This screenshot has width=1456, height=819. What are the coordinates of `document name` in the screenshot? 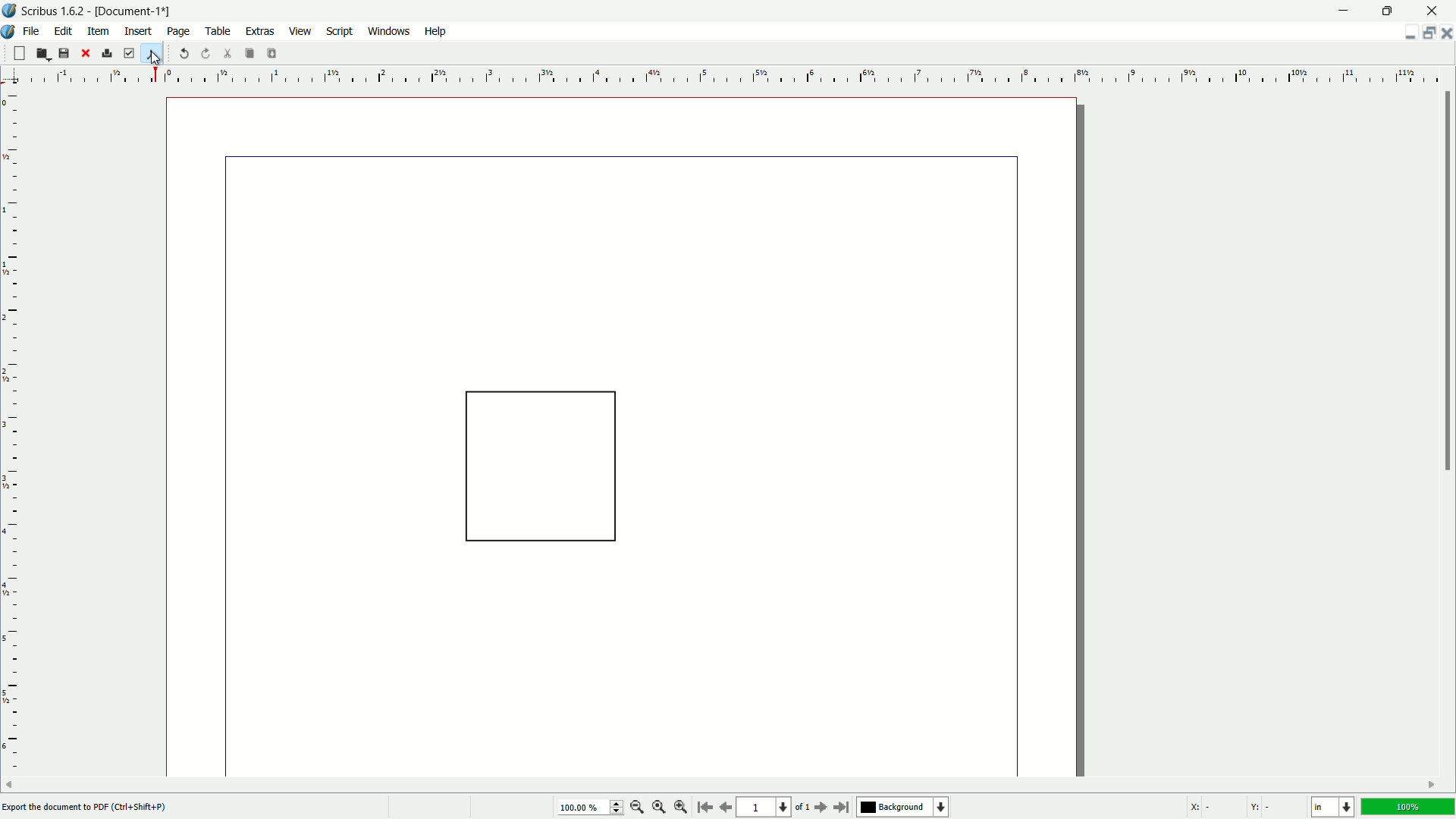 It's located at (133, 10).